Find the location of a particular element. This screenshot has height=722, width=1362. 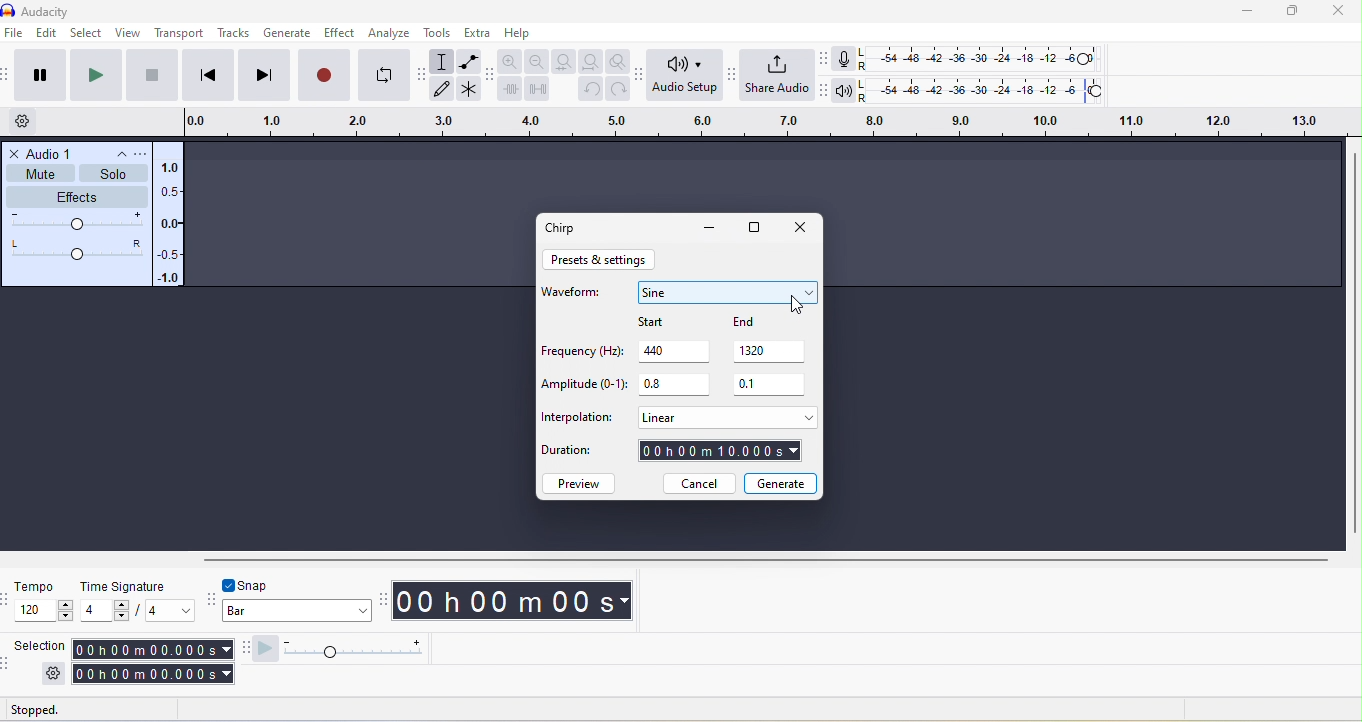

settings is located at coordinates (53, 673).